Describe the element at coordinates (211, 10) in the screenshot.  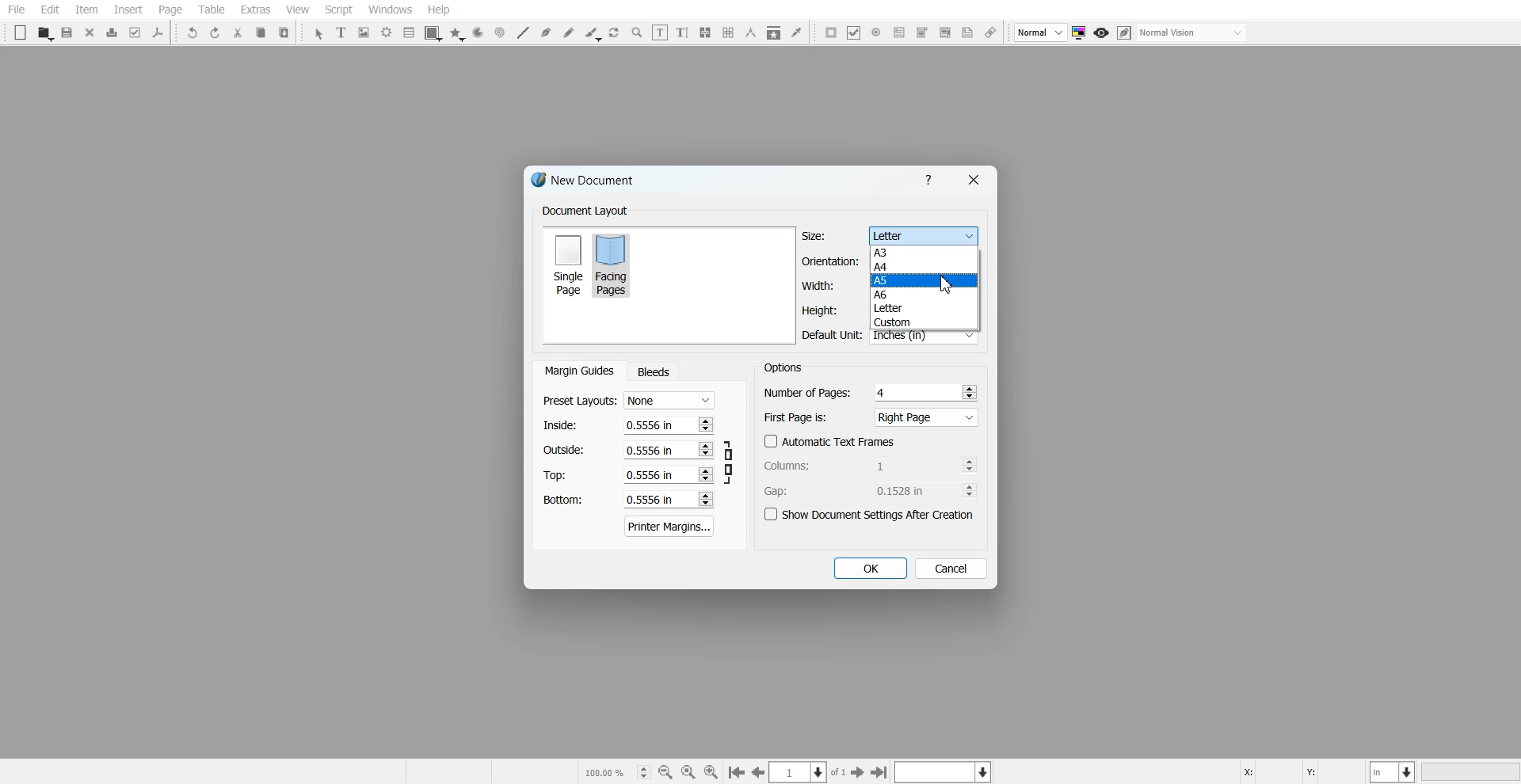
I see `Table` at that location.